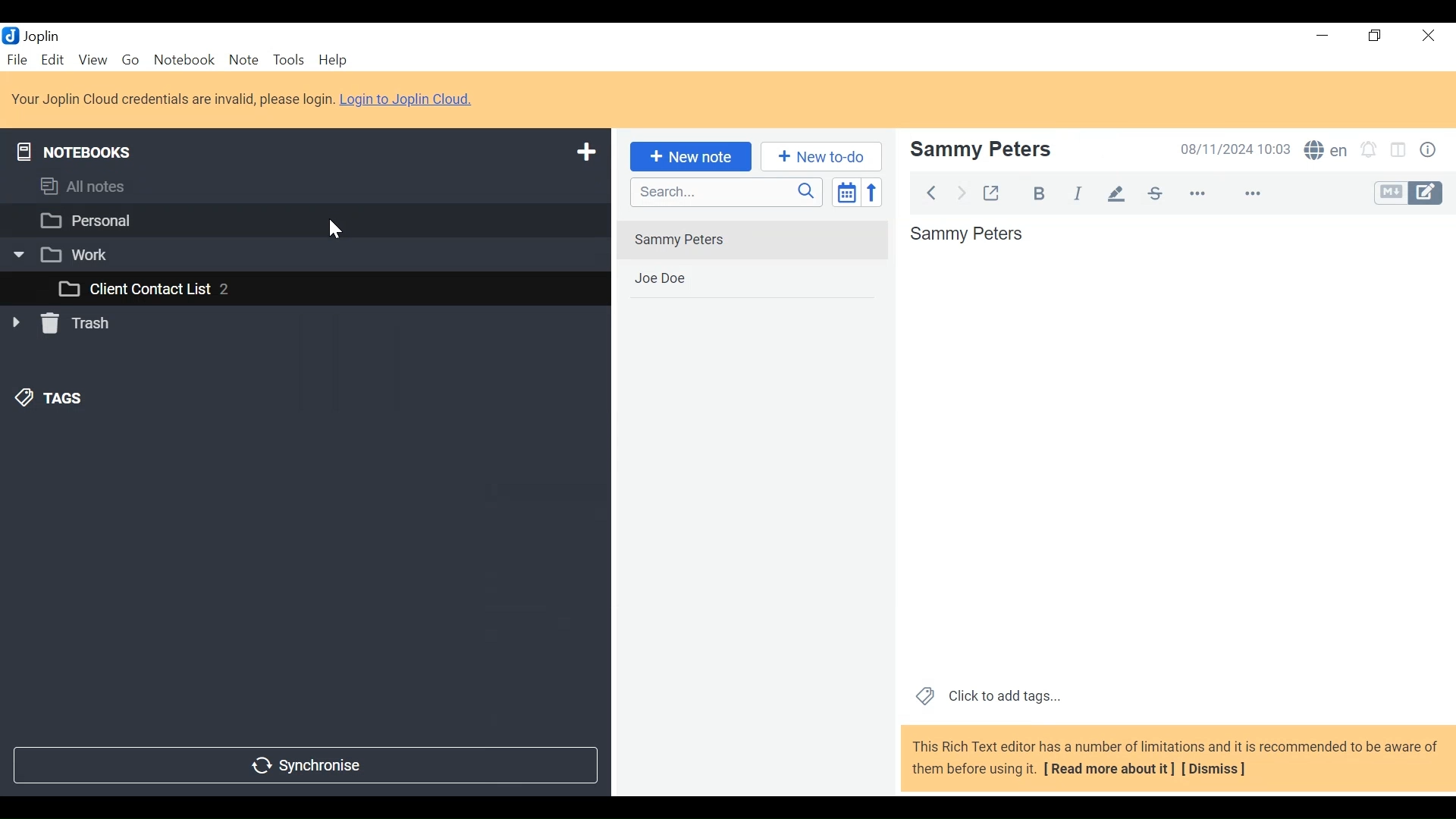  What do you see at coordinates (872, 193) in the screenshot?
I see `Reverse sort order` at bounding box center [872, 193].